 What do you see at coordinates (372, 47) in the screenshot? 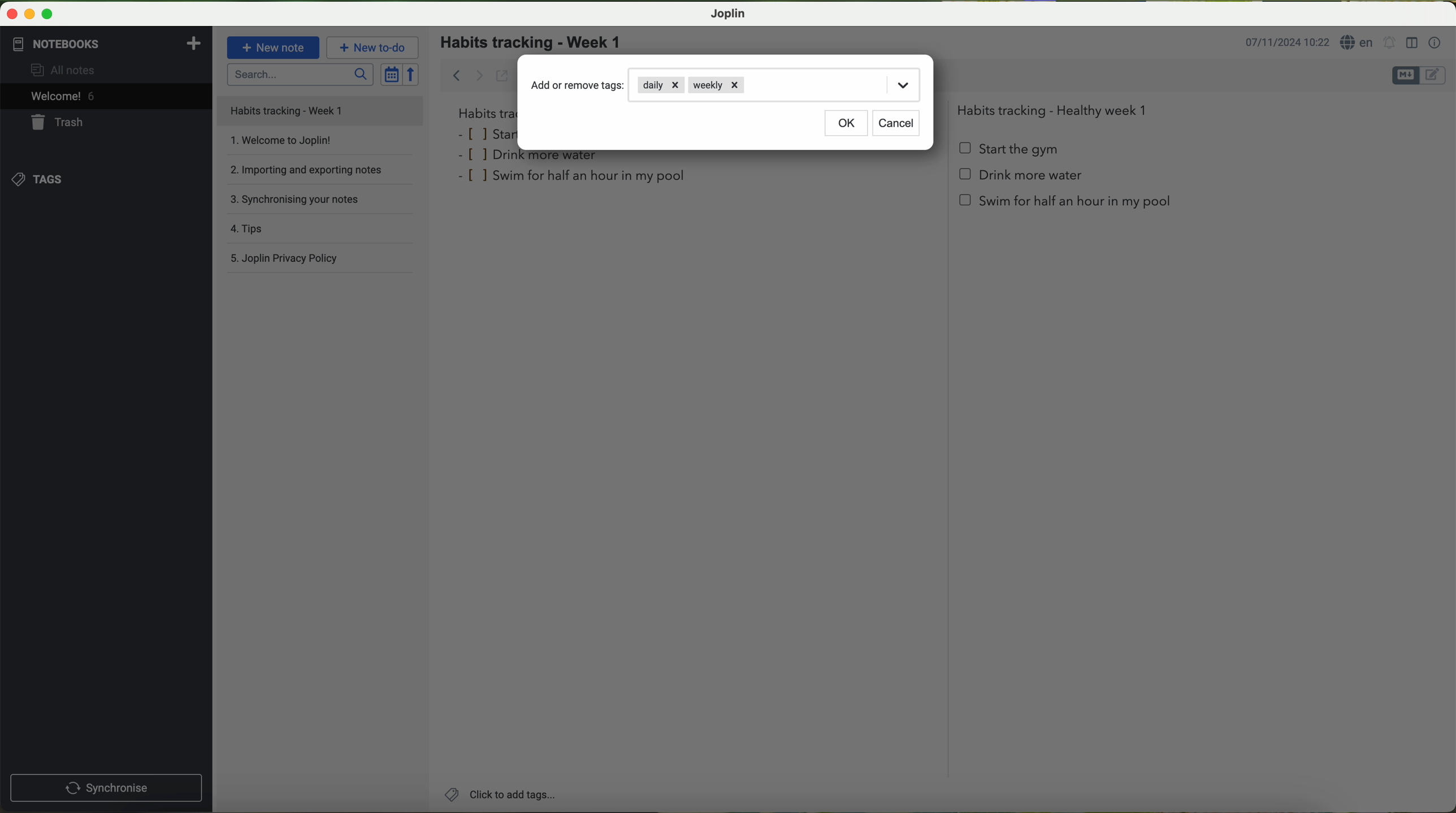
I see `new to-do button` at bounding box center [372, 47].